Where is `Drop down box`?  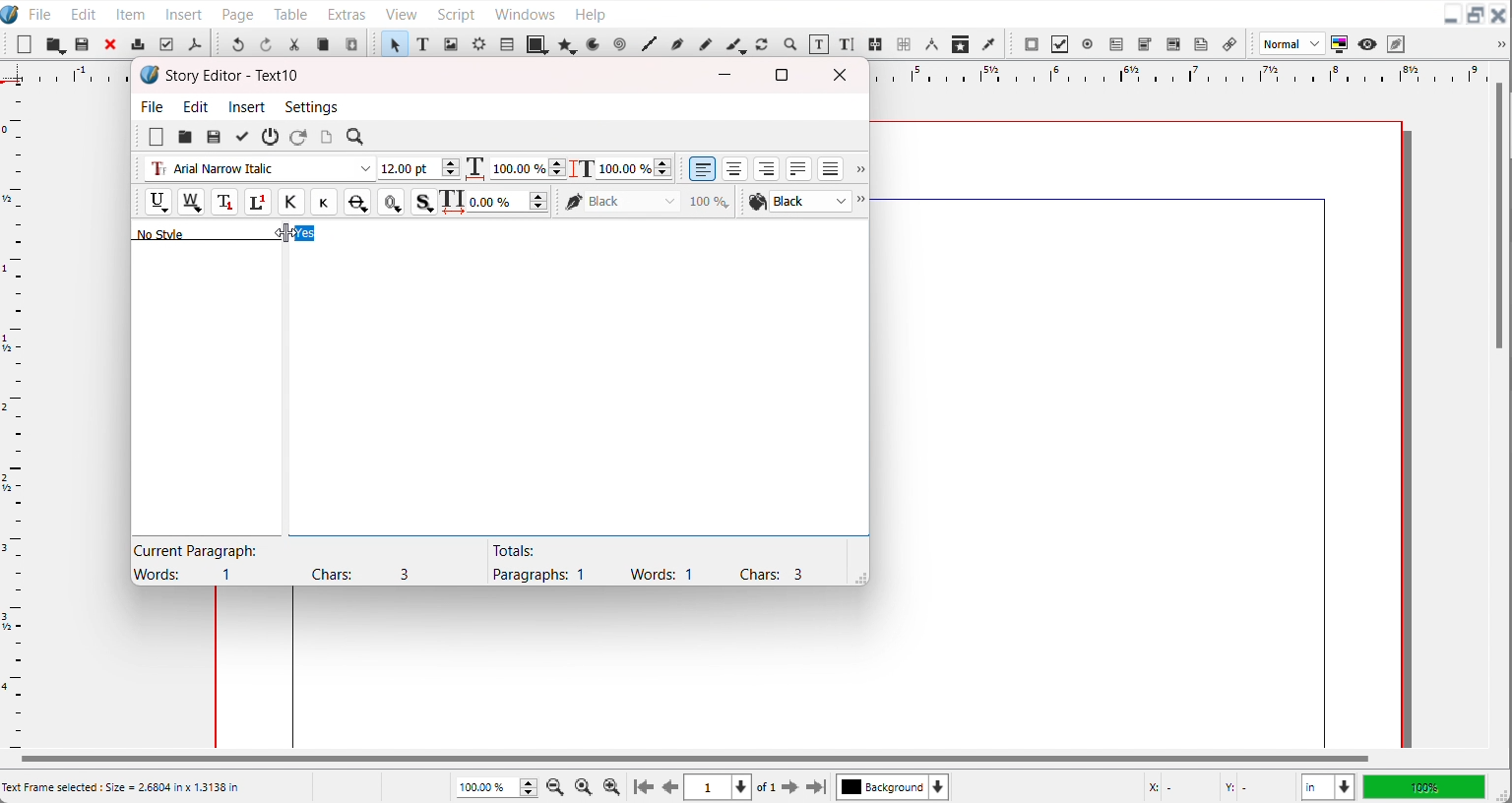
Drop down box is located at coordinates (858, 170).